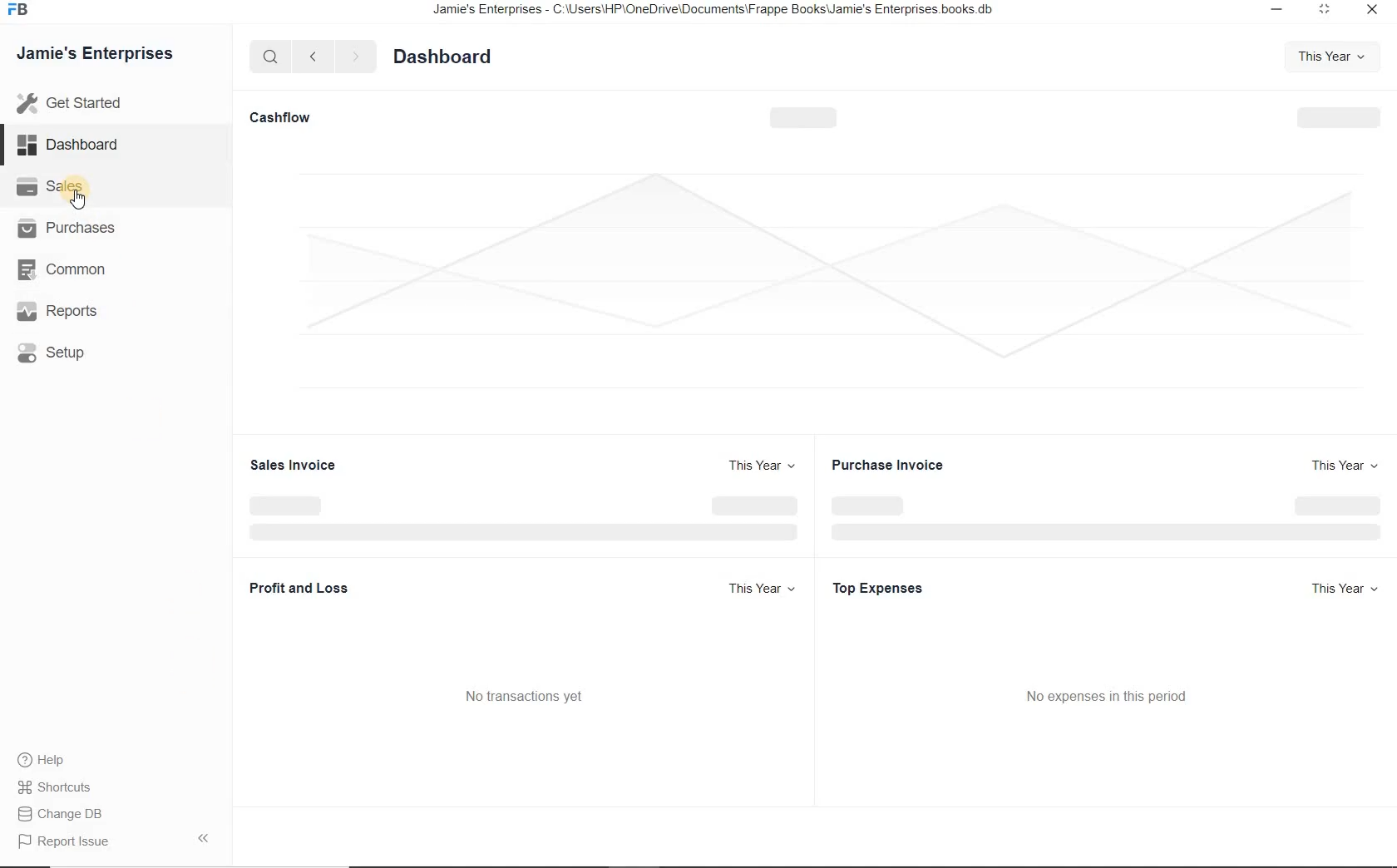 The height and width of the screenshot is (868, 1397). What do you see at coordinates (294, 466) in the screenshot?
I see `Sales Invoice` at bounding box center [294, 466].